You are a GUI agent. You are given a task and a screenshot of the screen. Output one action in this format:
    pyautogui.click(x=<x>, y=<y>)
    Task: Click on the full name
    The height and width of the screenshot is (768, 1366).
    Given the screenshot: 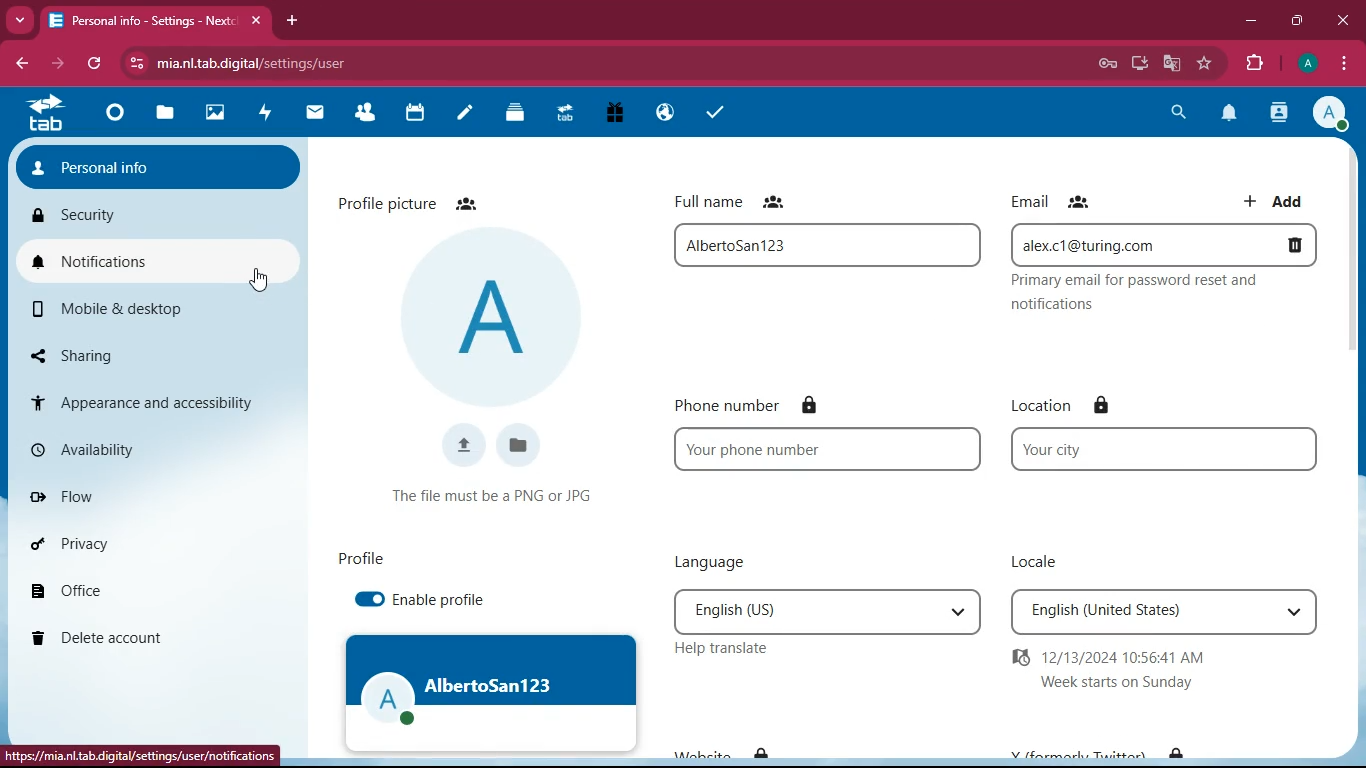 What is the action you would take?
    pyautogui.click(x=709, y=202)
    